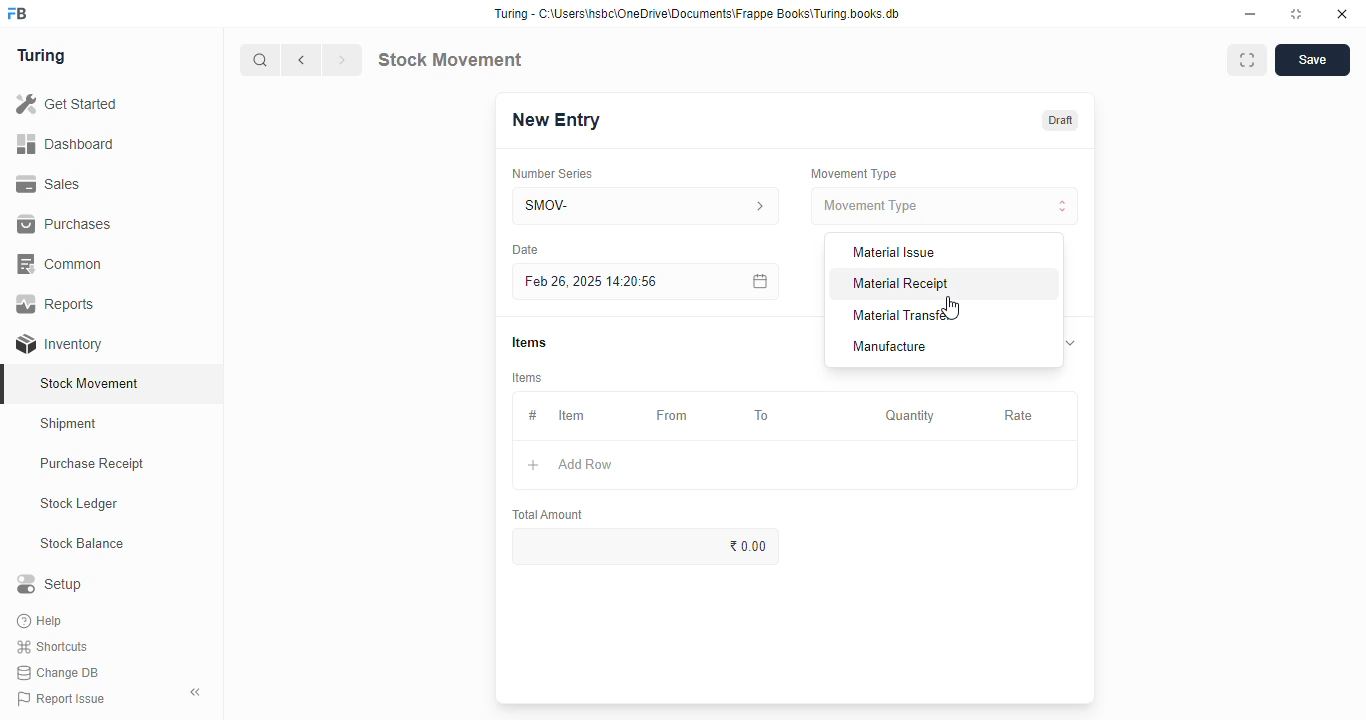 The height and width of the screenshot is (720, 1366). Describe the element at coordinates (62, 264) in the screenshot. I see `common` at that location.